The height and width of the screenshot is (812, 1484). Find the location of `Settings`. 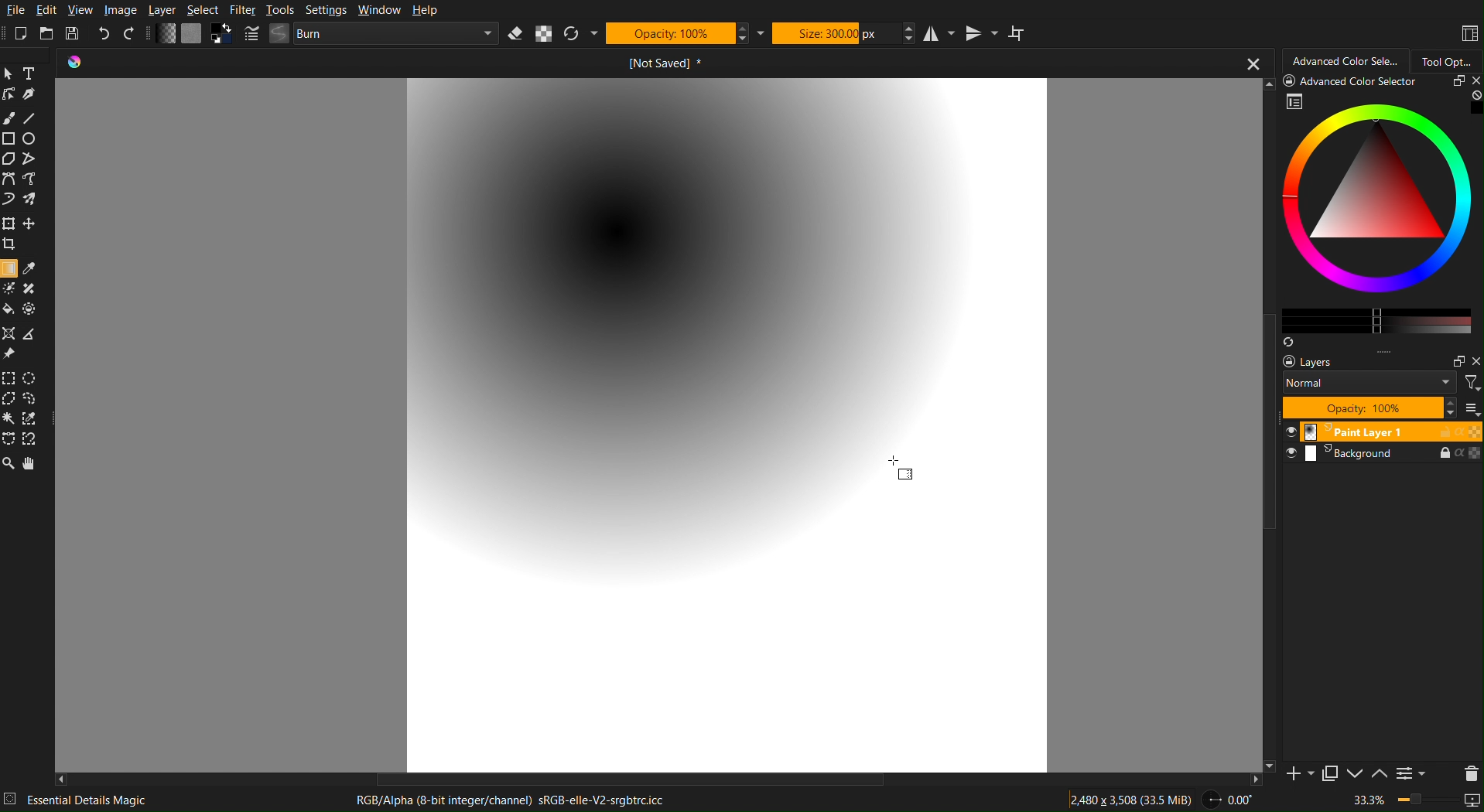

Settings is located at coordinates (323, 10).